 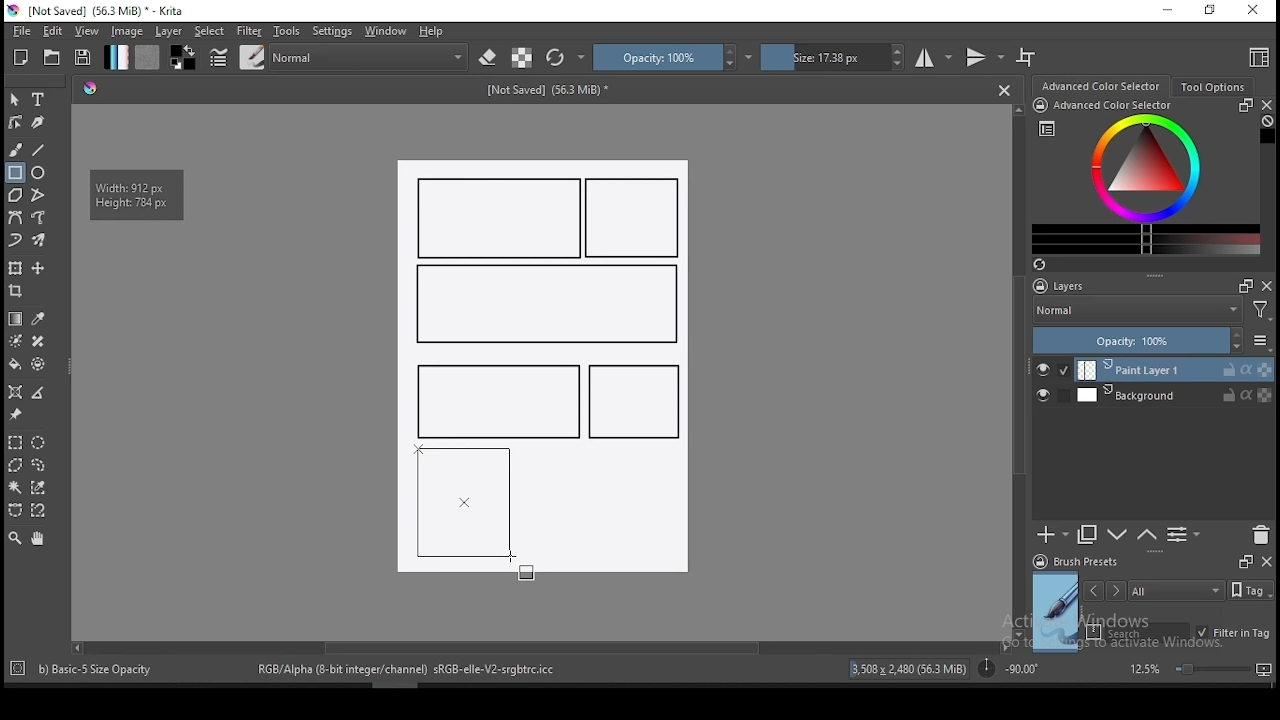 I want to click on layer, so click(x=1175, y=370).